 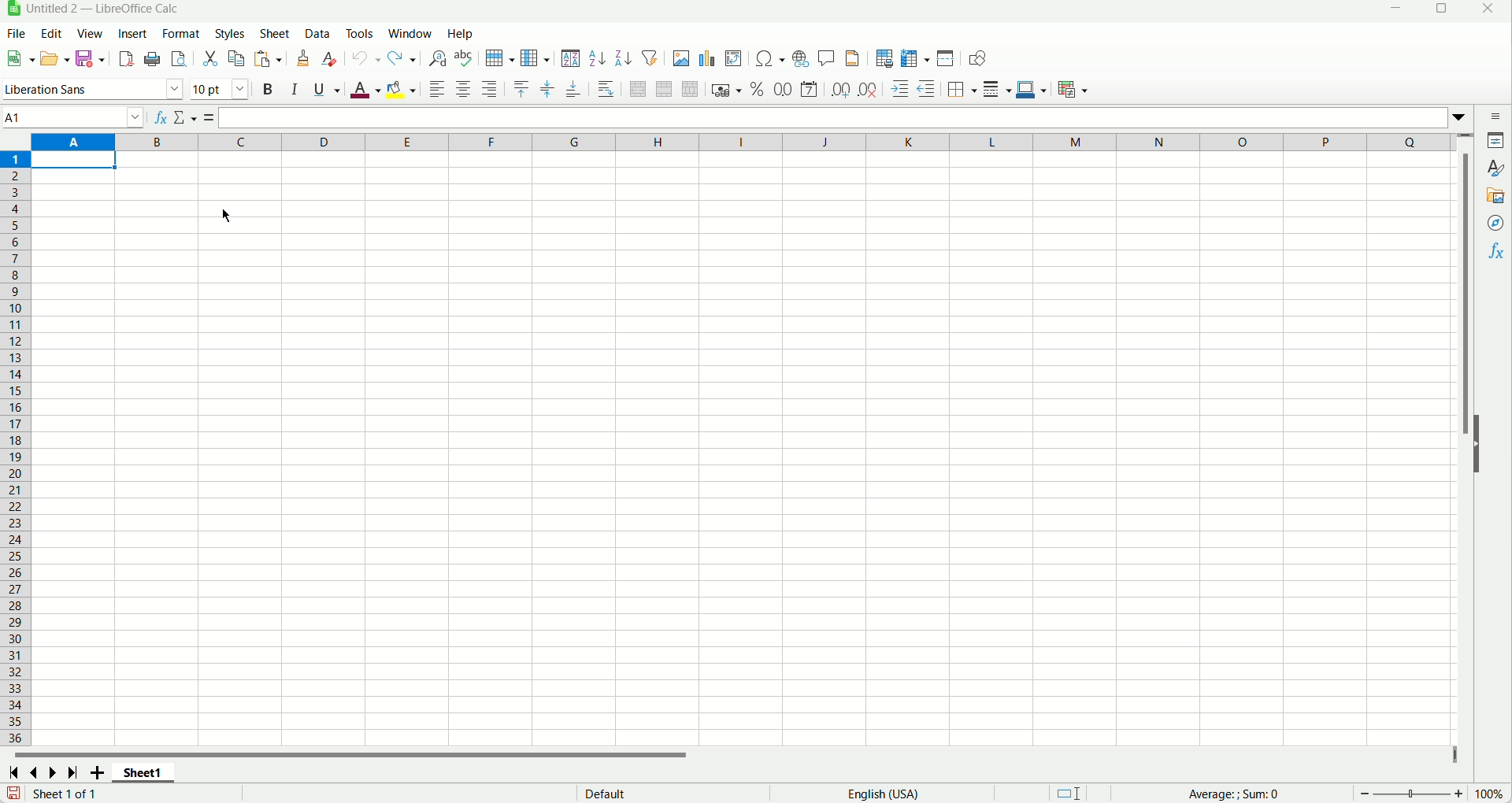 What do you see at coordinates (841, 88) in the screenshot?
I see `Add decimal` at bounding box center [841, 88].